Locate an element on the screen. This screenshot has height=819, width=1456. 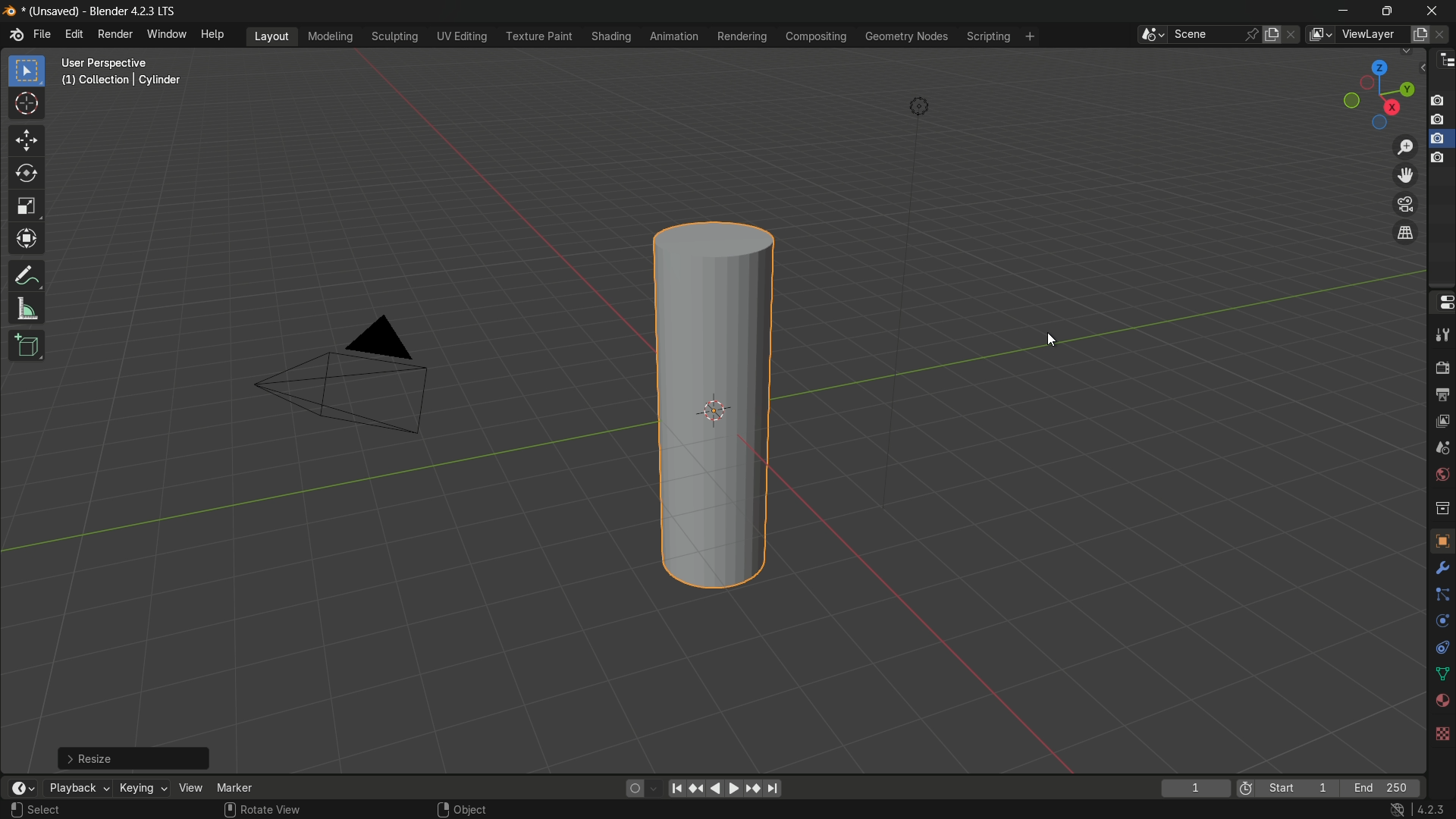
compositing is located at coordinates (816, 38).